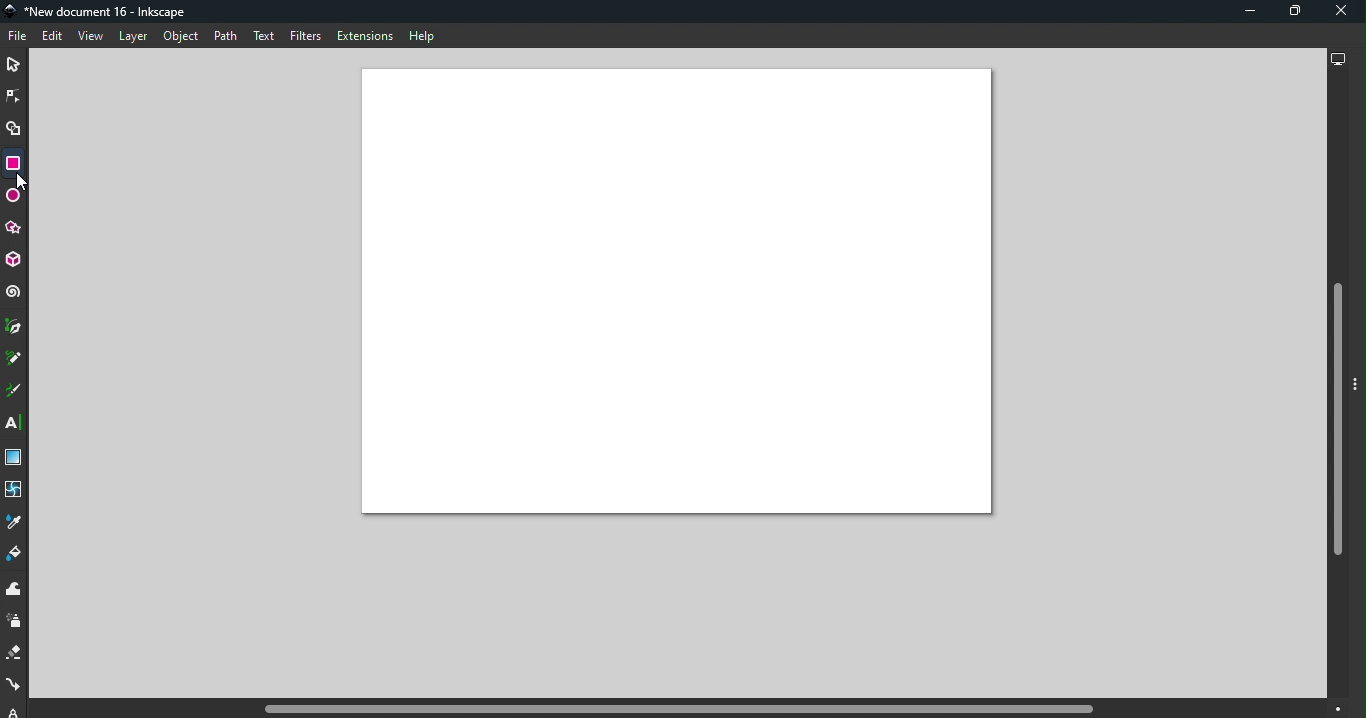  Describe the element at coordinates (422, 36) in the screenshot. I see `Help` at that location.